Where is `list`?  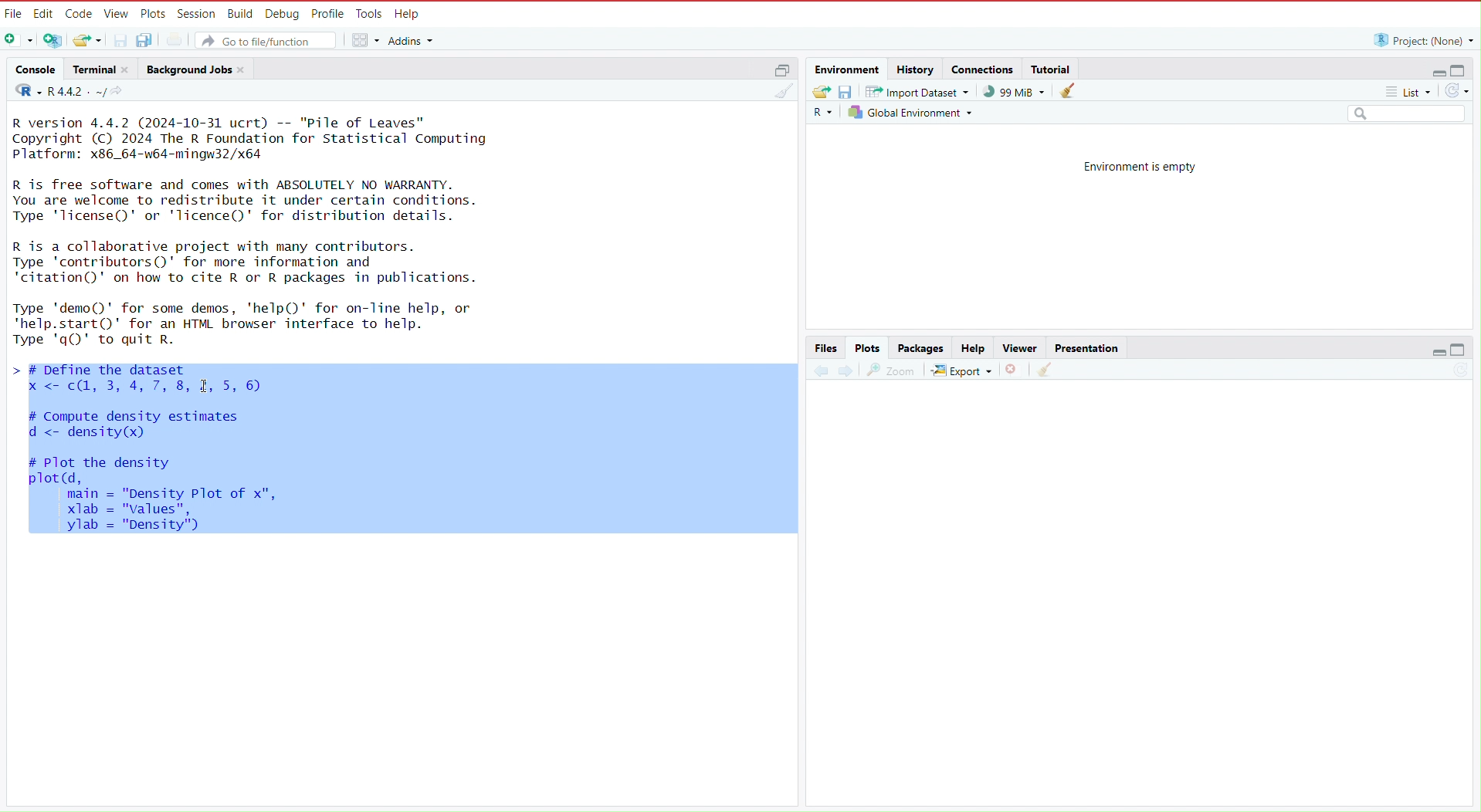 list is located at coordinates (1412, 93).